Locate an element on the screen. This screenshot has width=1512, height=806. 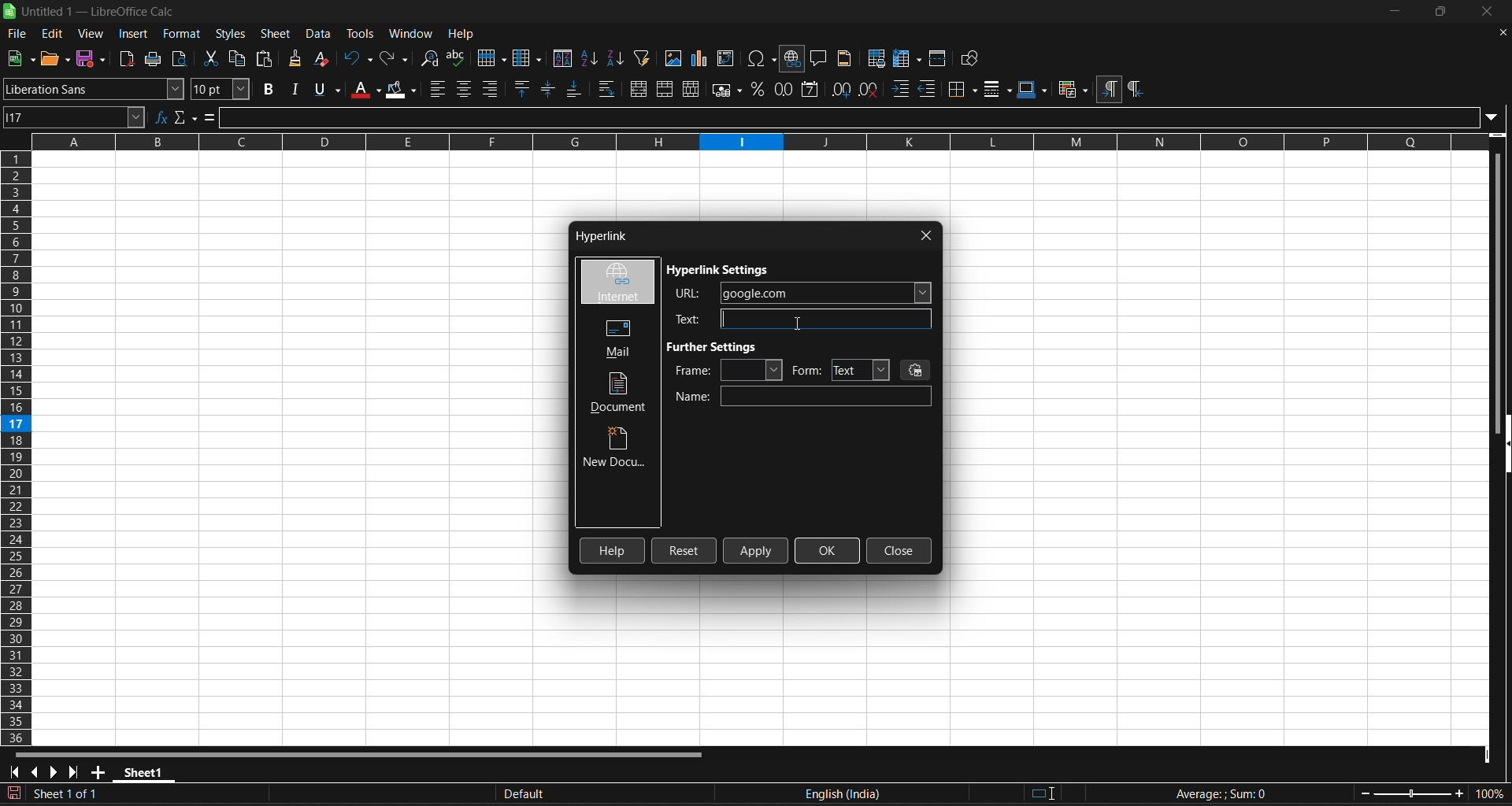
new document is located at coordinates (617, 449).